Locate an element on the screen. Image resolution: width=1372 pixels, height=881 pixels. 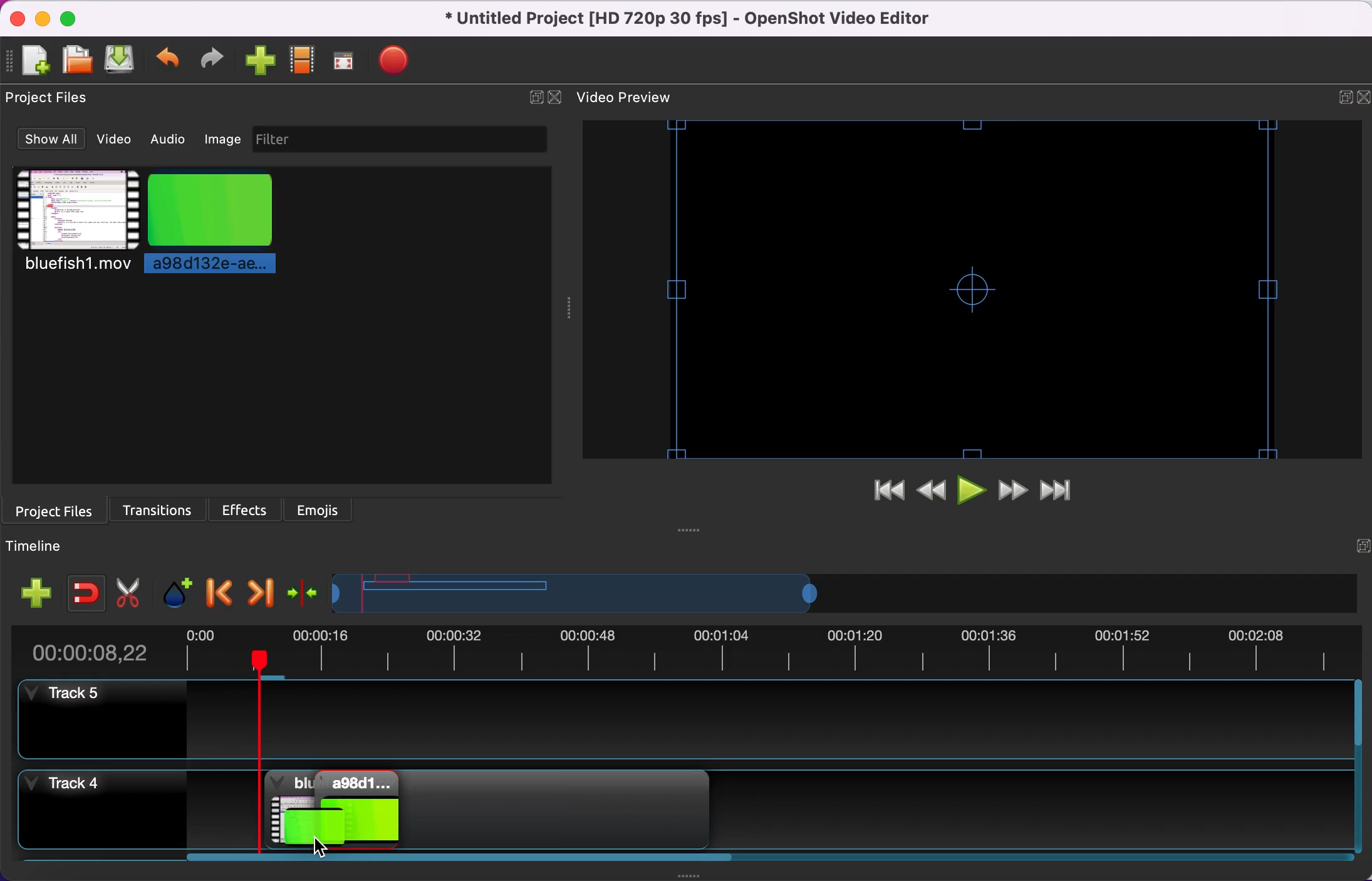
import files is located at coordinates (256, 63).